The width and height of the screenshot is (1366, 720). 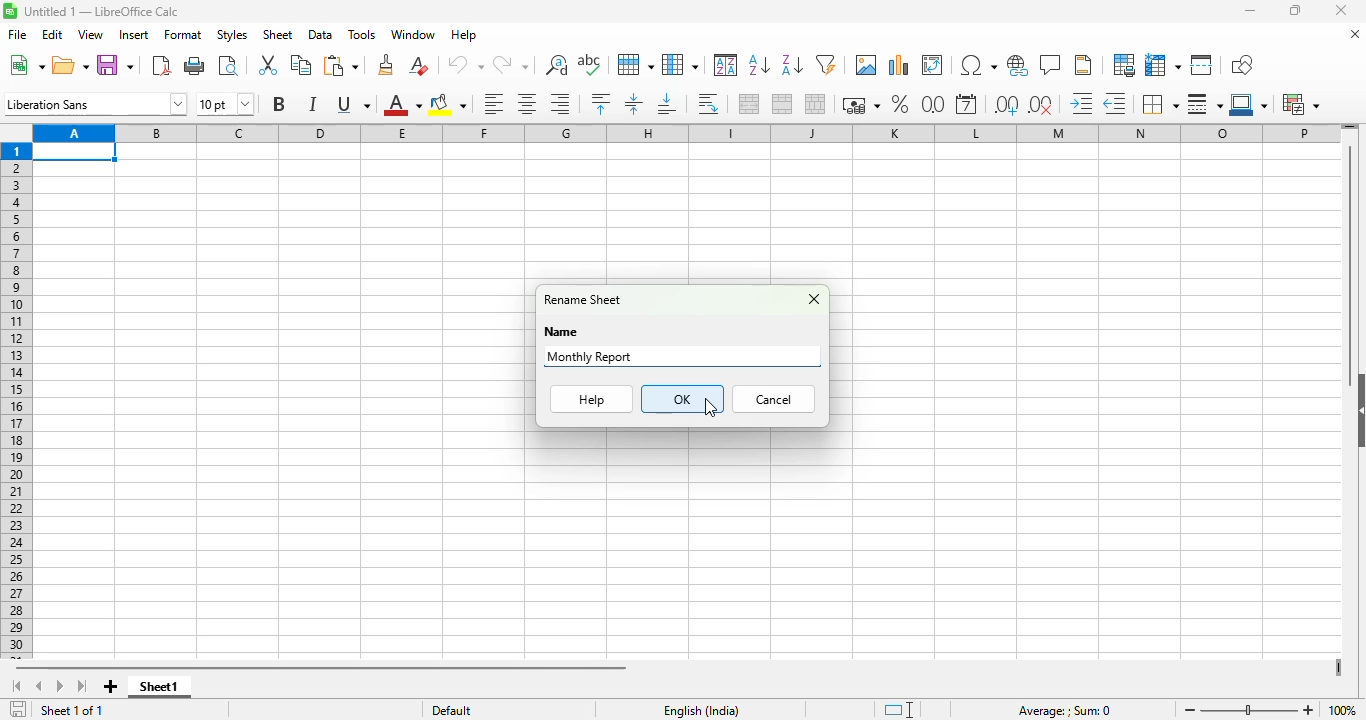 What do you see at coordinates (1352, 257) in the screenshot?
I see `vertical scroll bar` at bounding box center [1352, 257].